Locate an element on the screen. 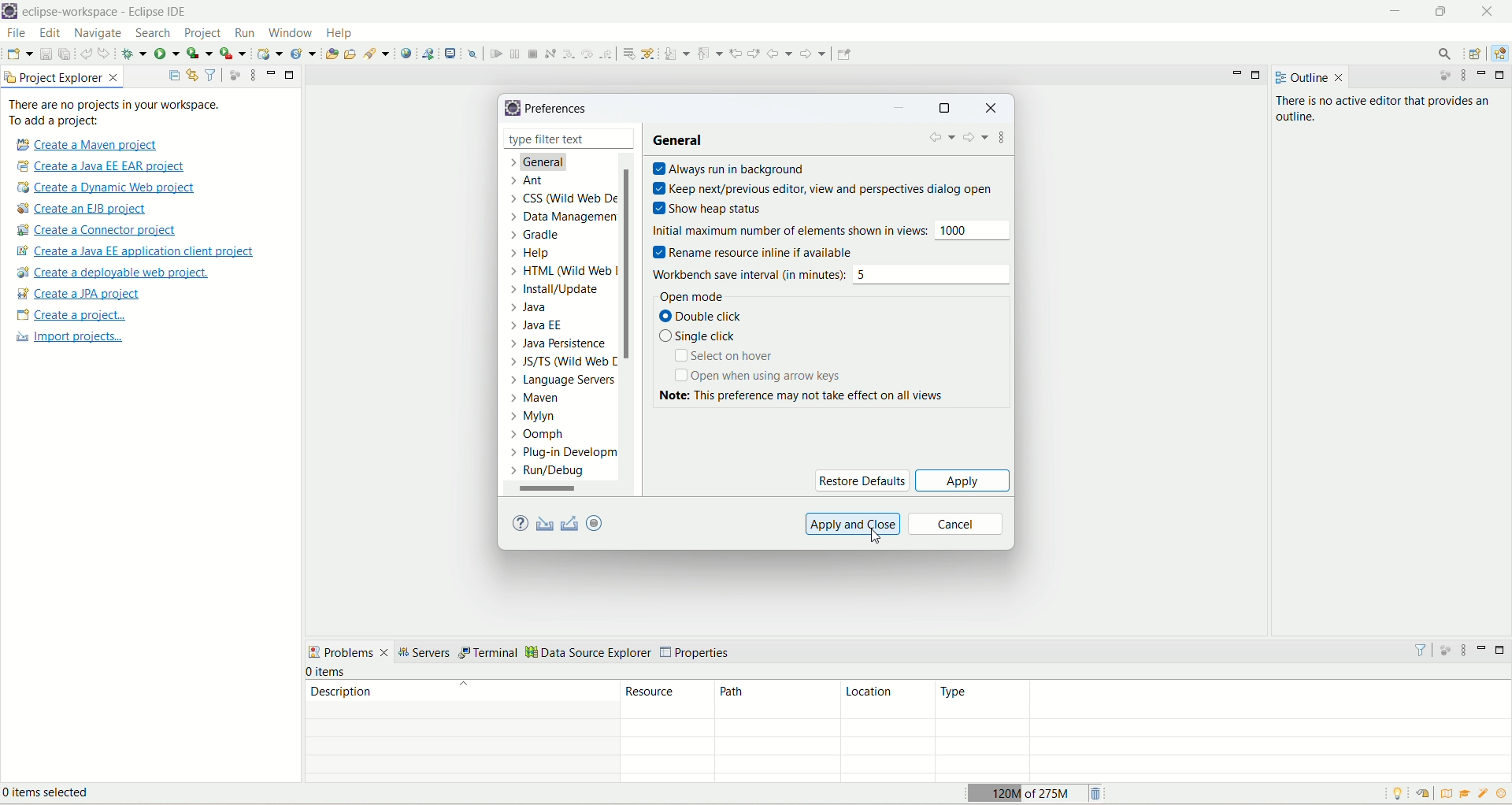  view menu is located at coordinates (1466, 77).